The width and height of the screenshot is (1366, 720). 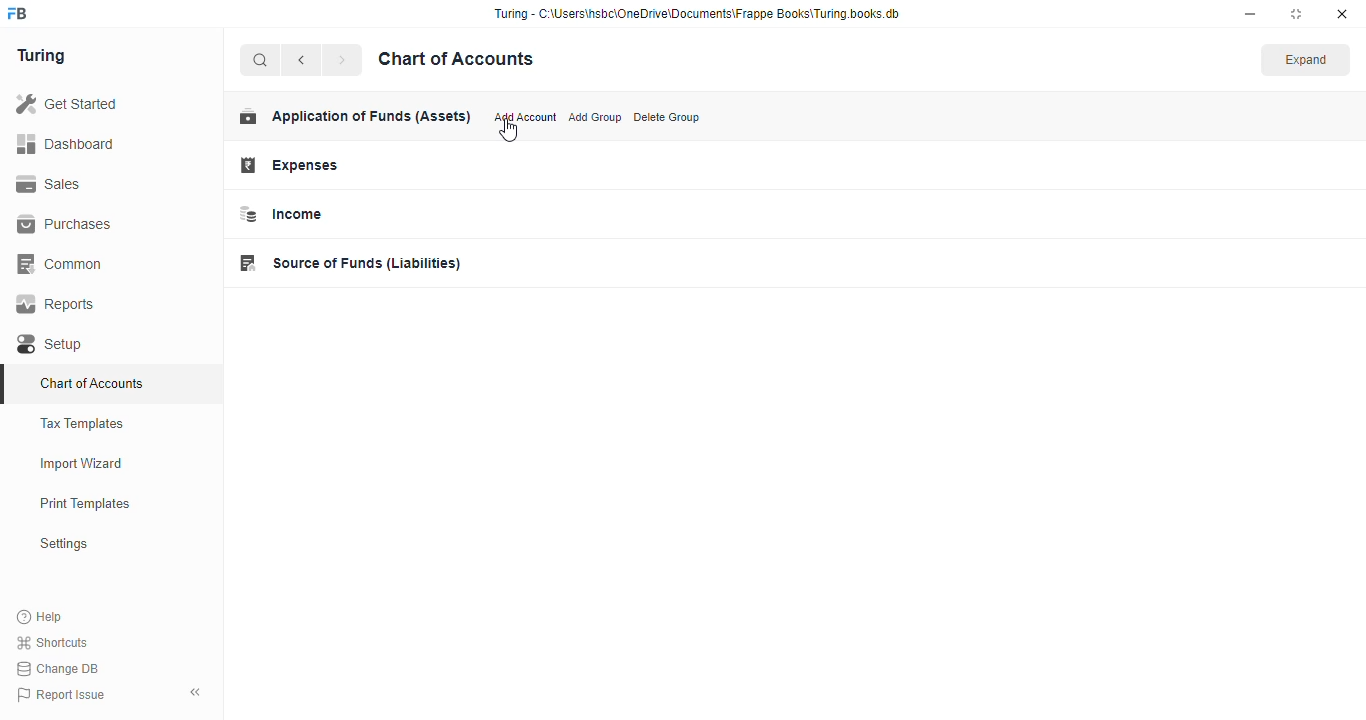 I want to click on chart of accounts, so click(x=456, y=59).